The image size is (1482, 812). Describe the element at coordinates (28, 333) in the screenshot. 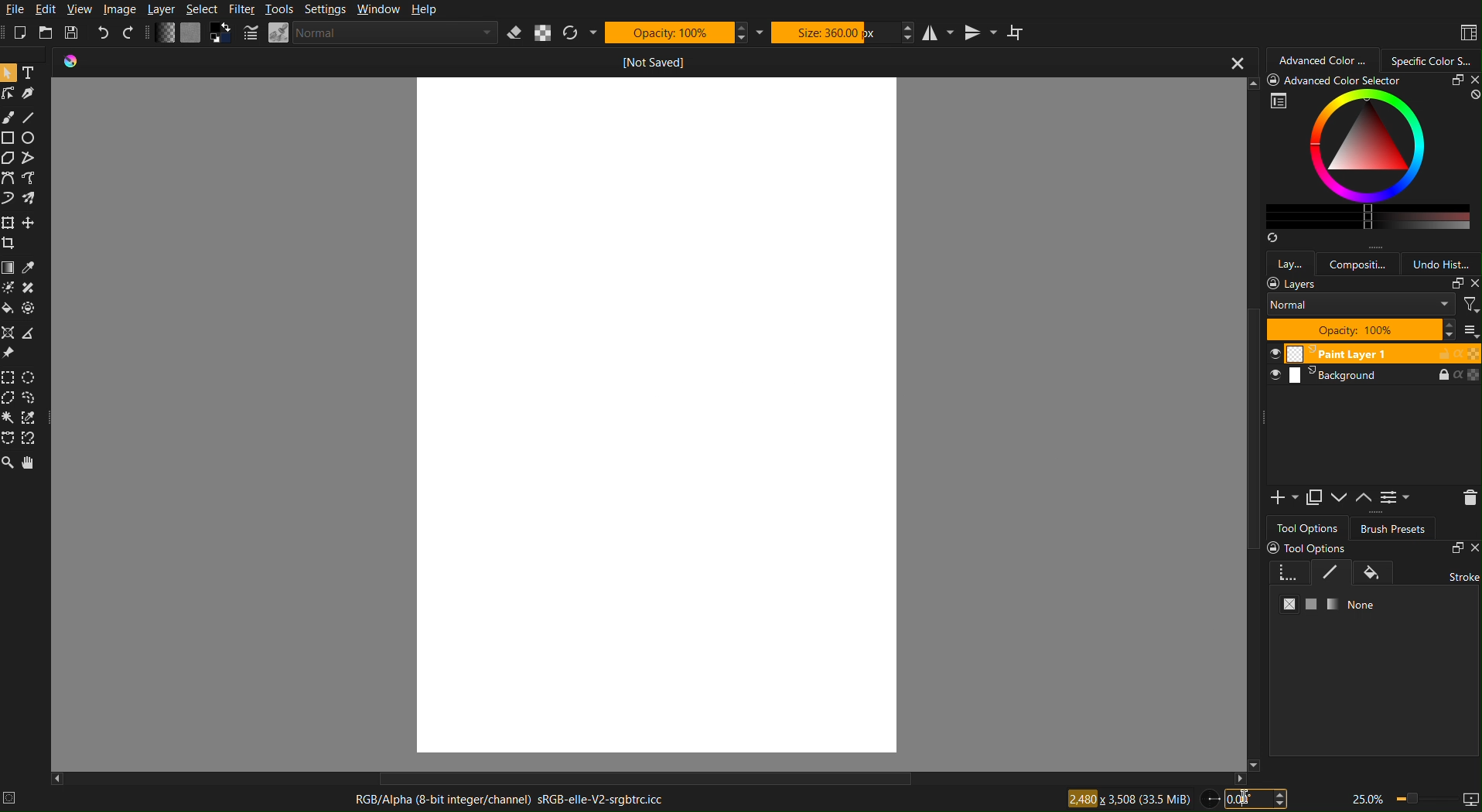

I see `Measure Tool` at that location.